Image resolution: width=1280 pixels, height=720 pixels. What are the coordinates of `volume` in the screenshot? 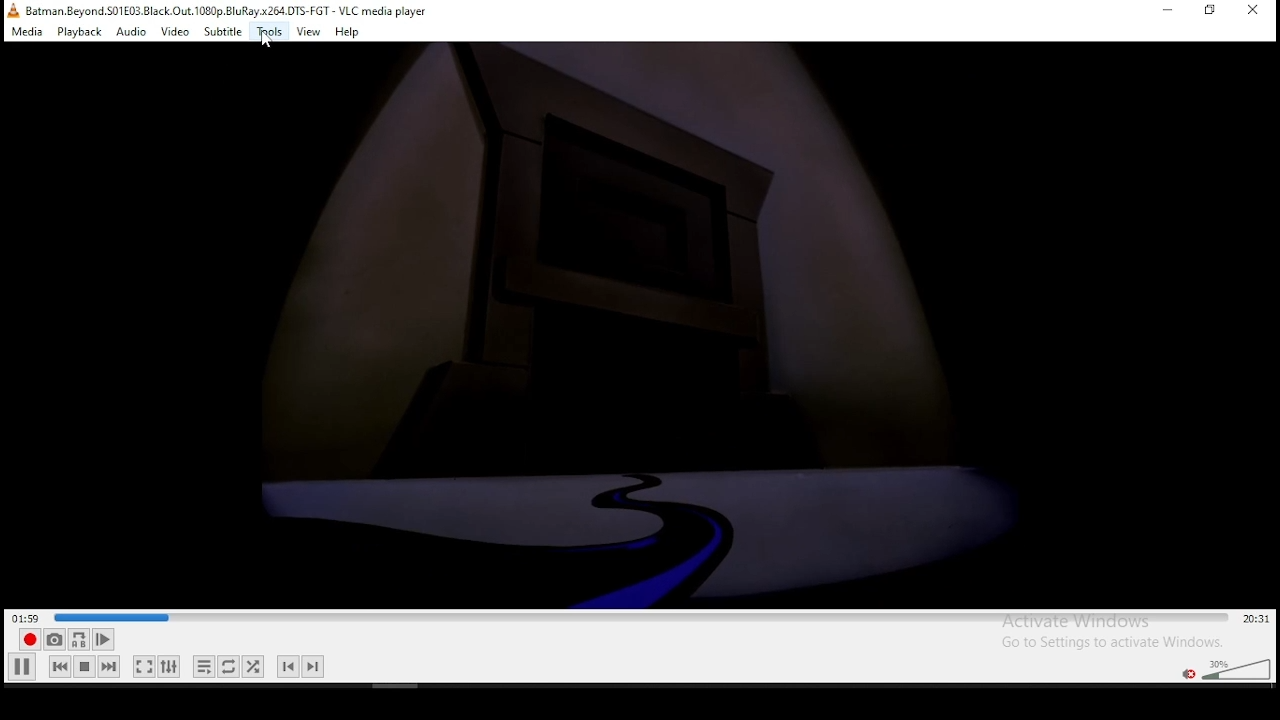 It's located at (1235, 667).